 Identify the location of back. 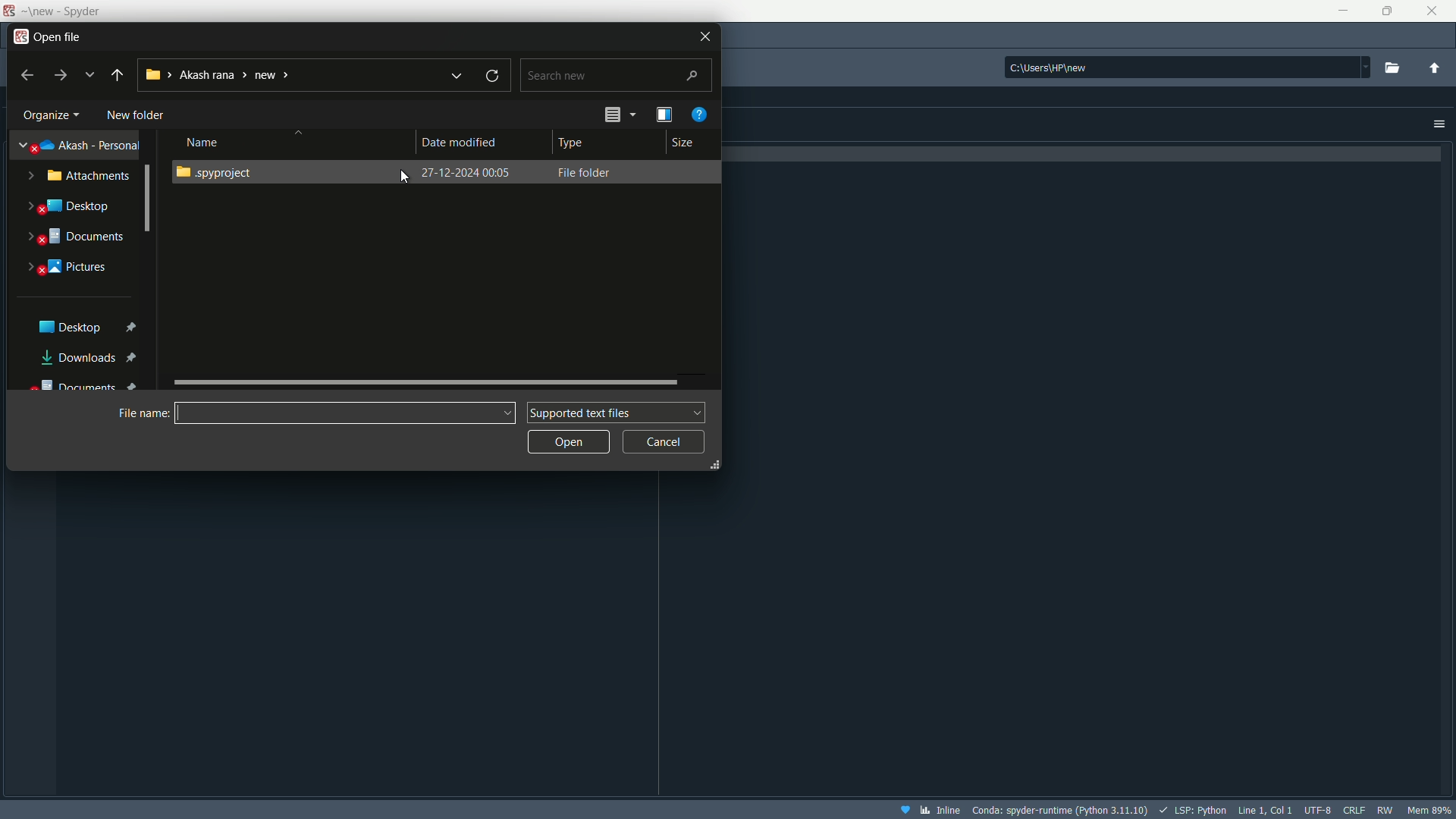
(116, 77).